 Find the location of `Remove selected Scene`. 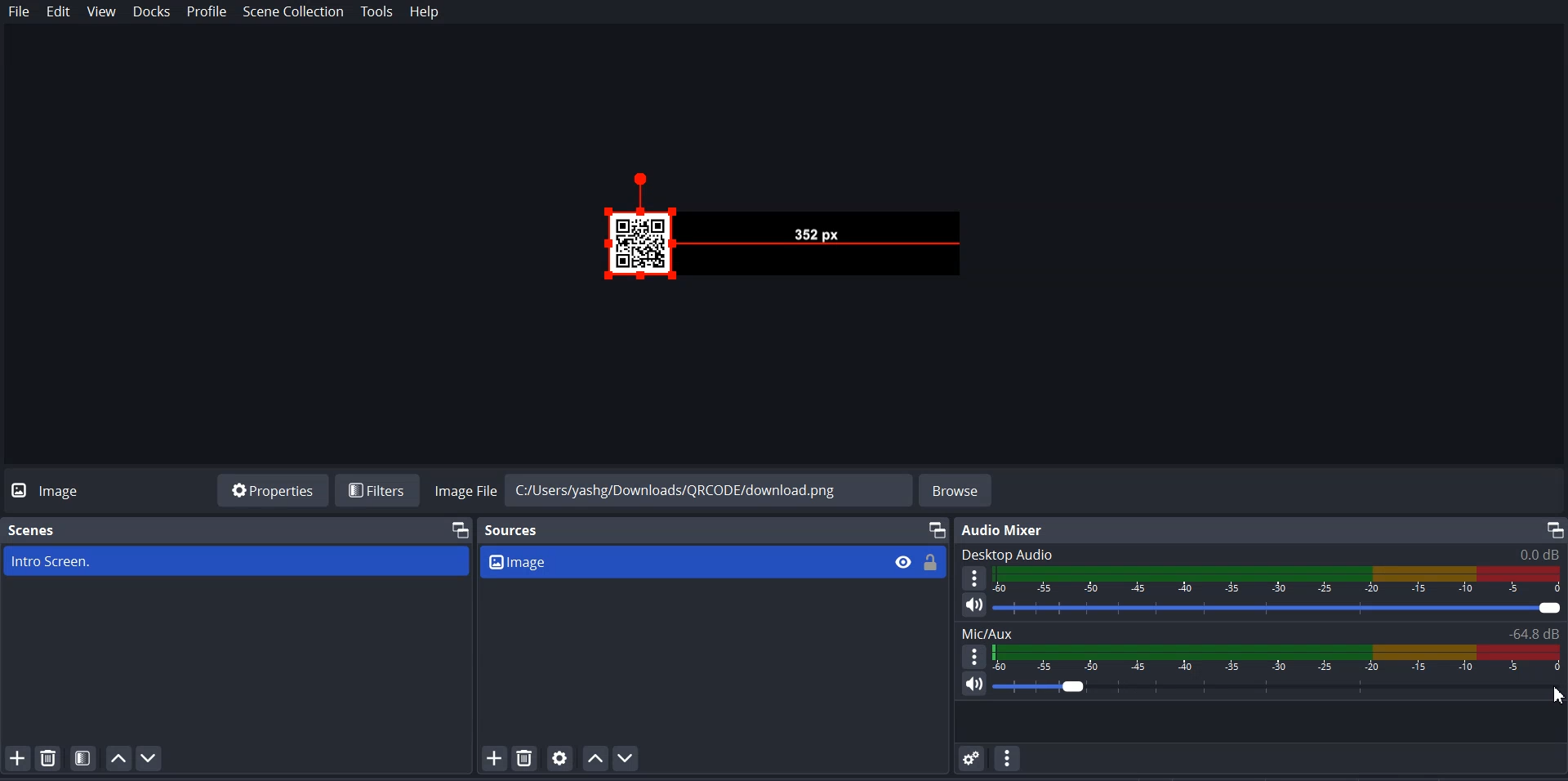

Remove selected Scene is located at coordinates (48, 757).